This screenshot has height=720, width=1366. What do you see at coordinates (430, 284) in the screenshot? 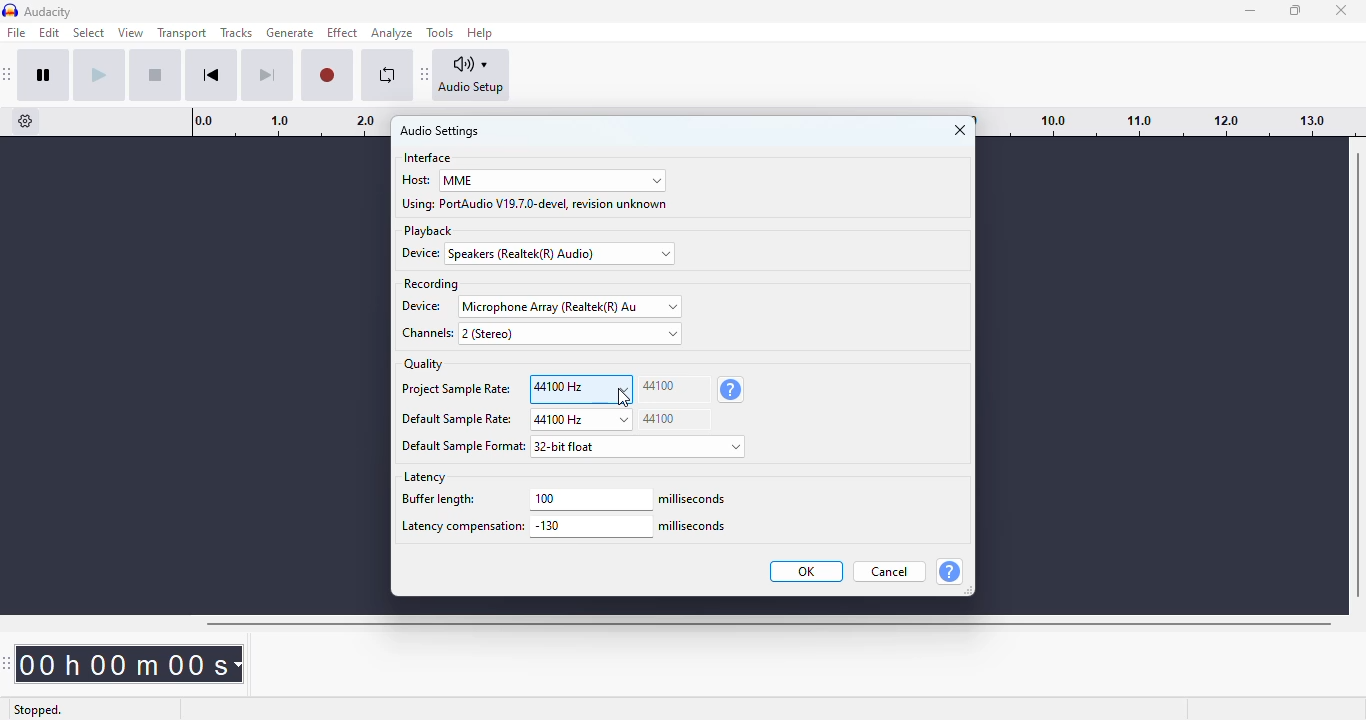
I see `recording` at bounding box center [430, 284].